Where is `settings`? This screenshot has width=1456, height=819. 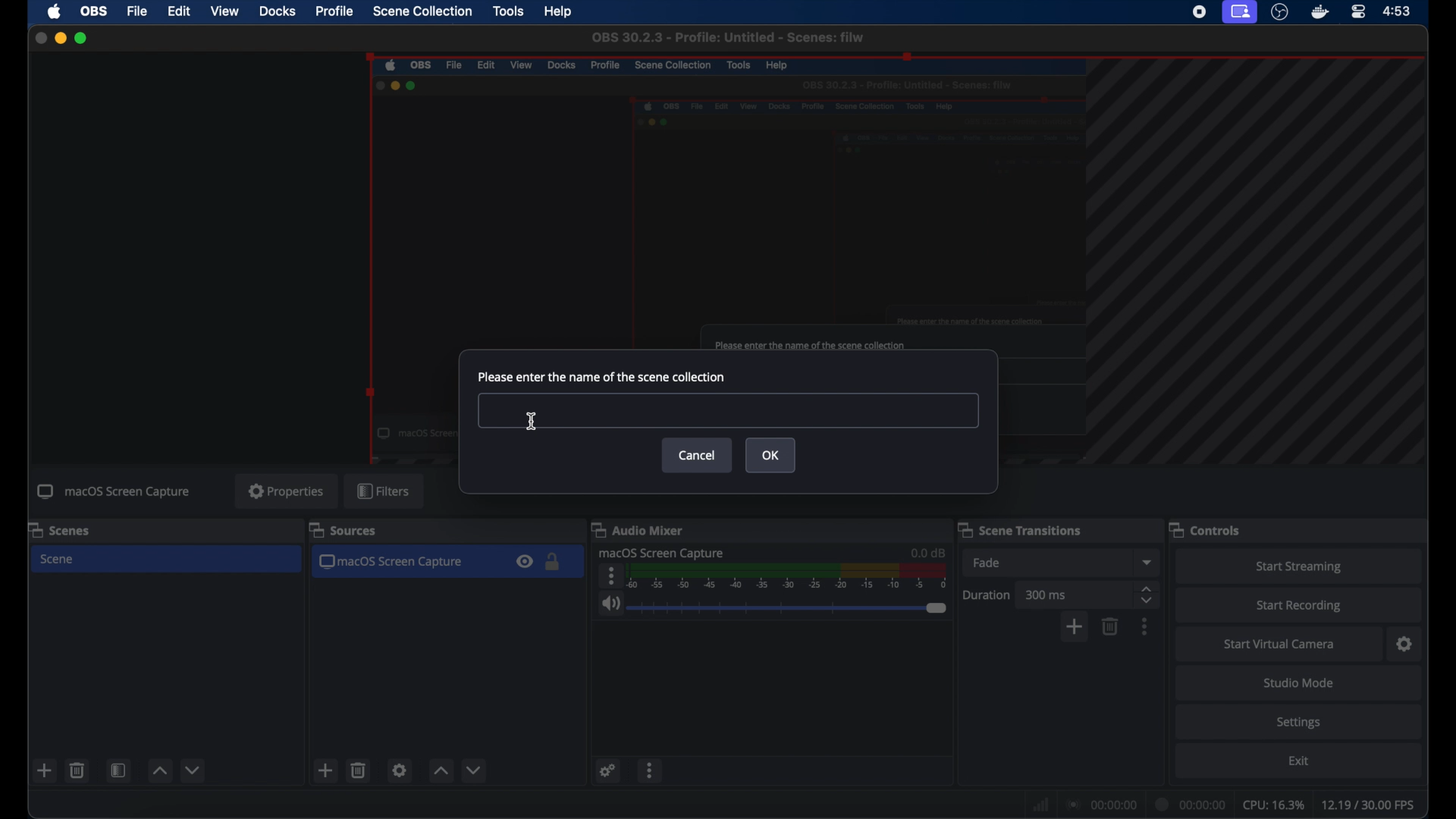 settings is located at coordinates (607, 771).